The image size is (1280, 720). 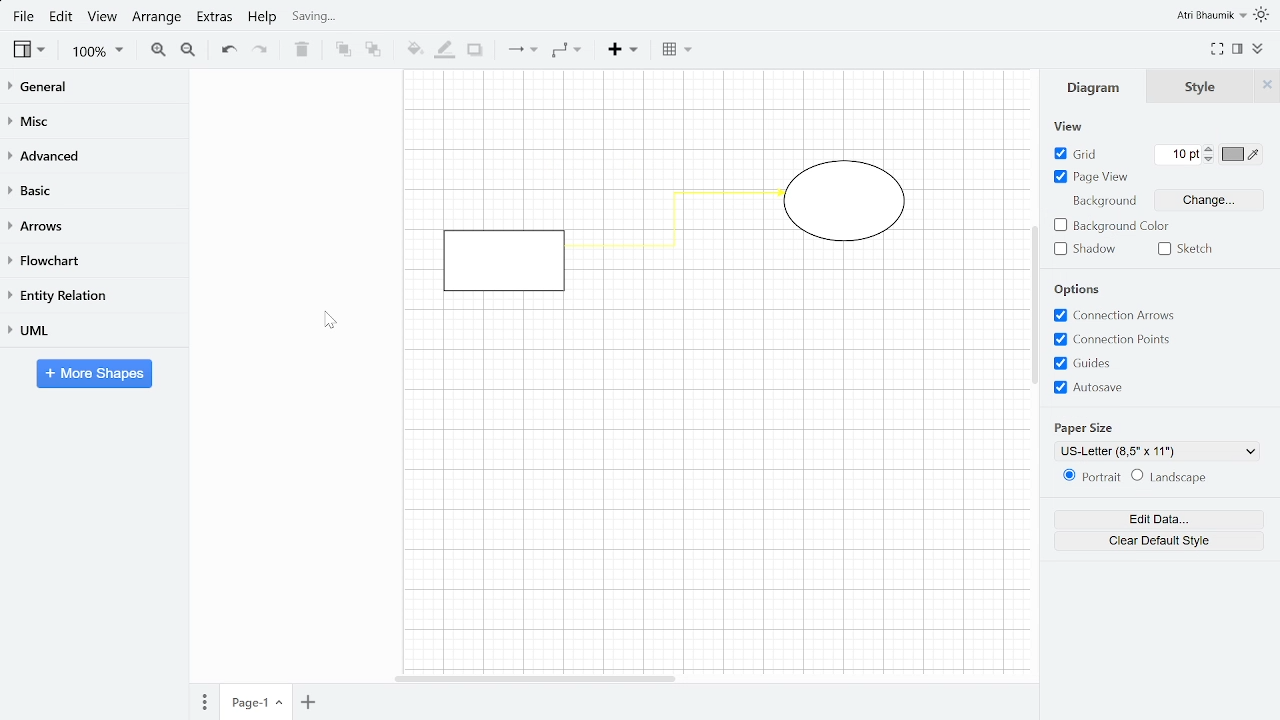 What do you see at coordinates (1258, 49) in the screenshot?
I see `Collapse` at bounding box center [1258, 49].